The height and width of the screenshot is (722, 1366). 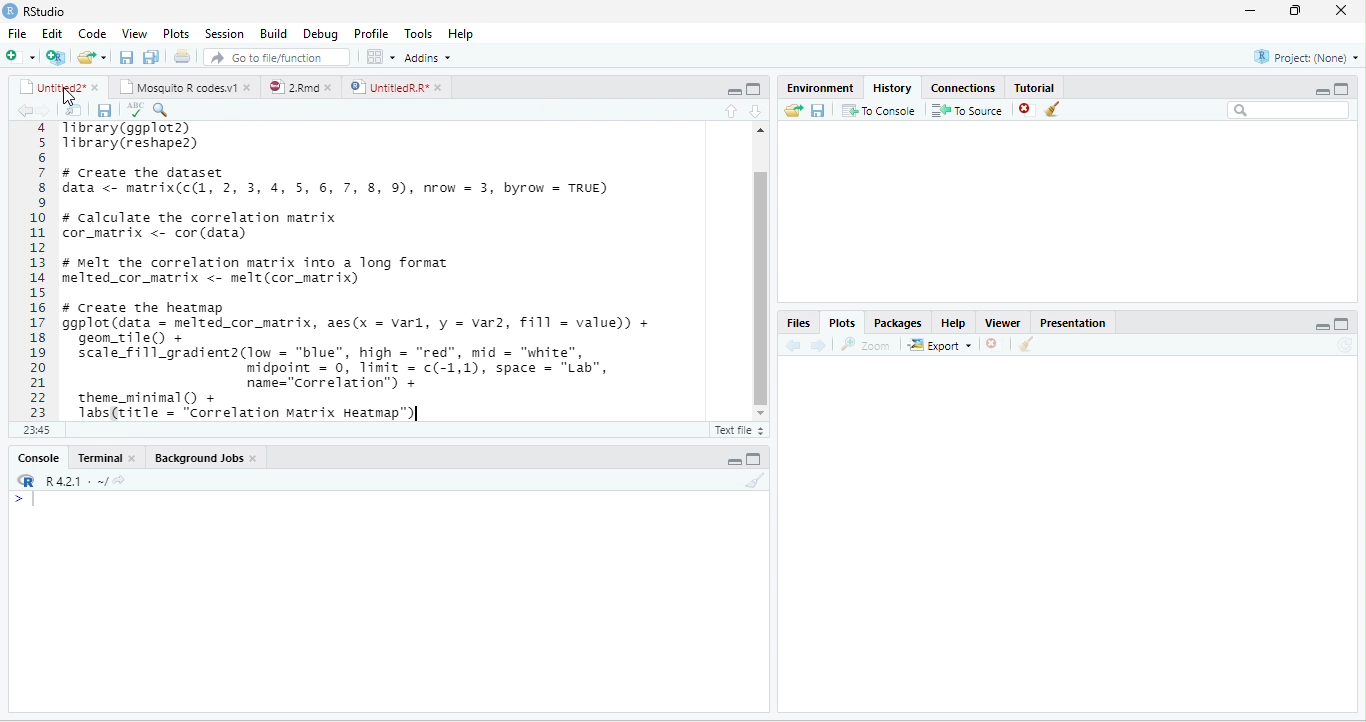 What do you see at coordinates (728, 89) in the screenshot?
I see `minimize` at bounding box center [728, 89].